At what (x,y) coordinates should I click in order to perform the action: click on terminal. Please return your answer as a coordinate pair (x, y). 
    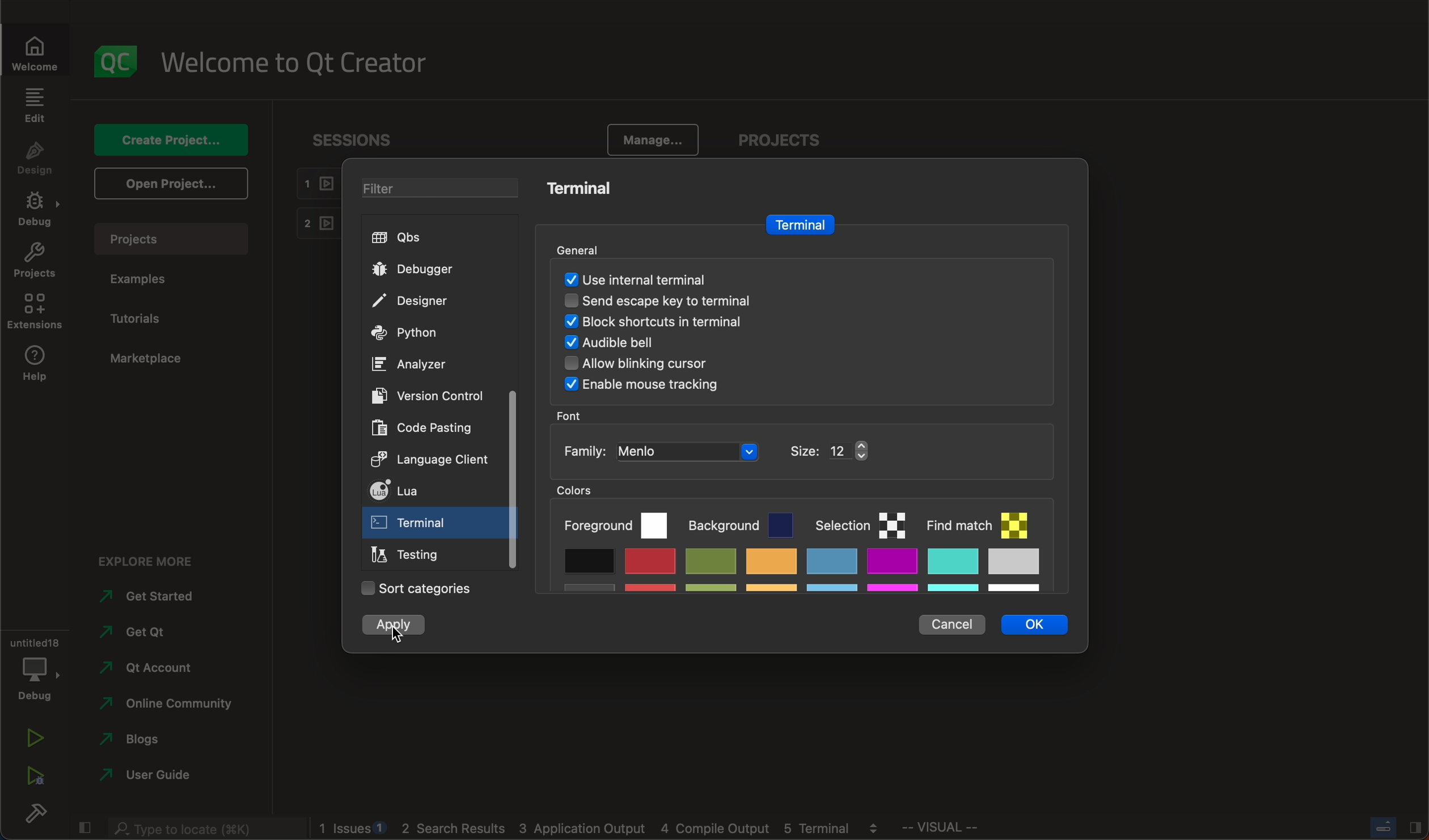
    Looking at the image, I should click on (580, 190).